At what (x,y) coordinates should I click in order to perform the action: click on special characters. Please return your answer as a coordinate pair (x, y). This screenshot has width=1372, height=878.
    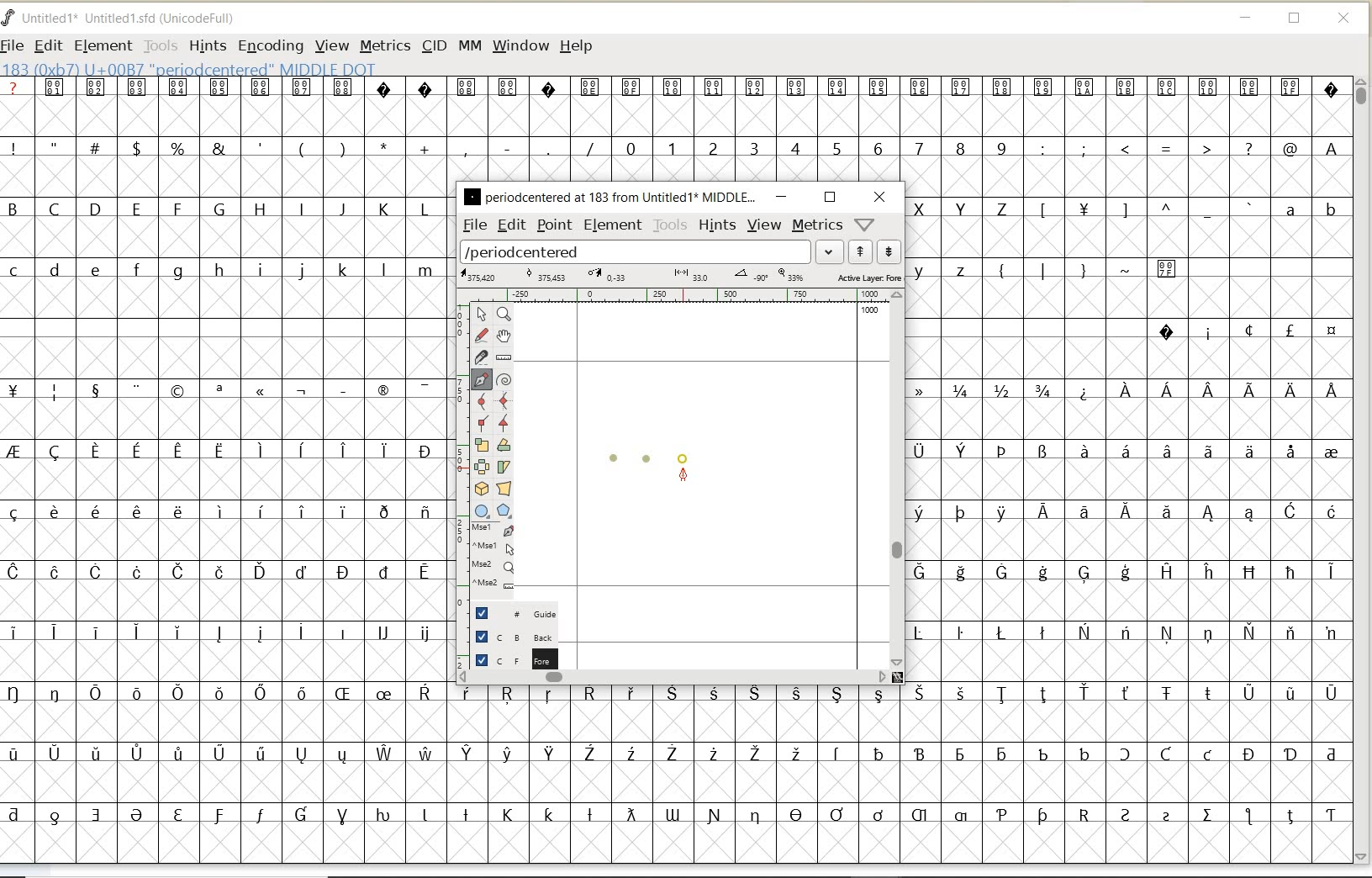
    Looking at the image, I should click on (1131, 526).